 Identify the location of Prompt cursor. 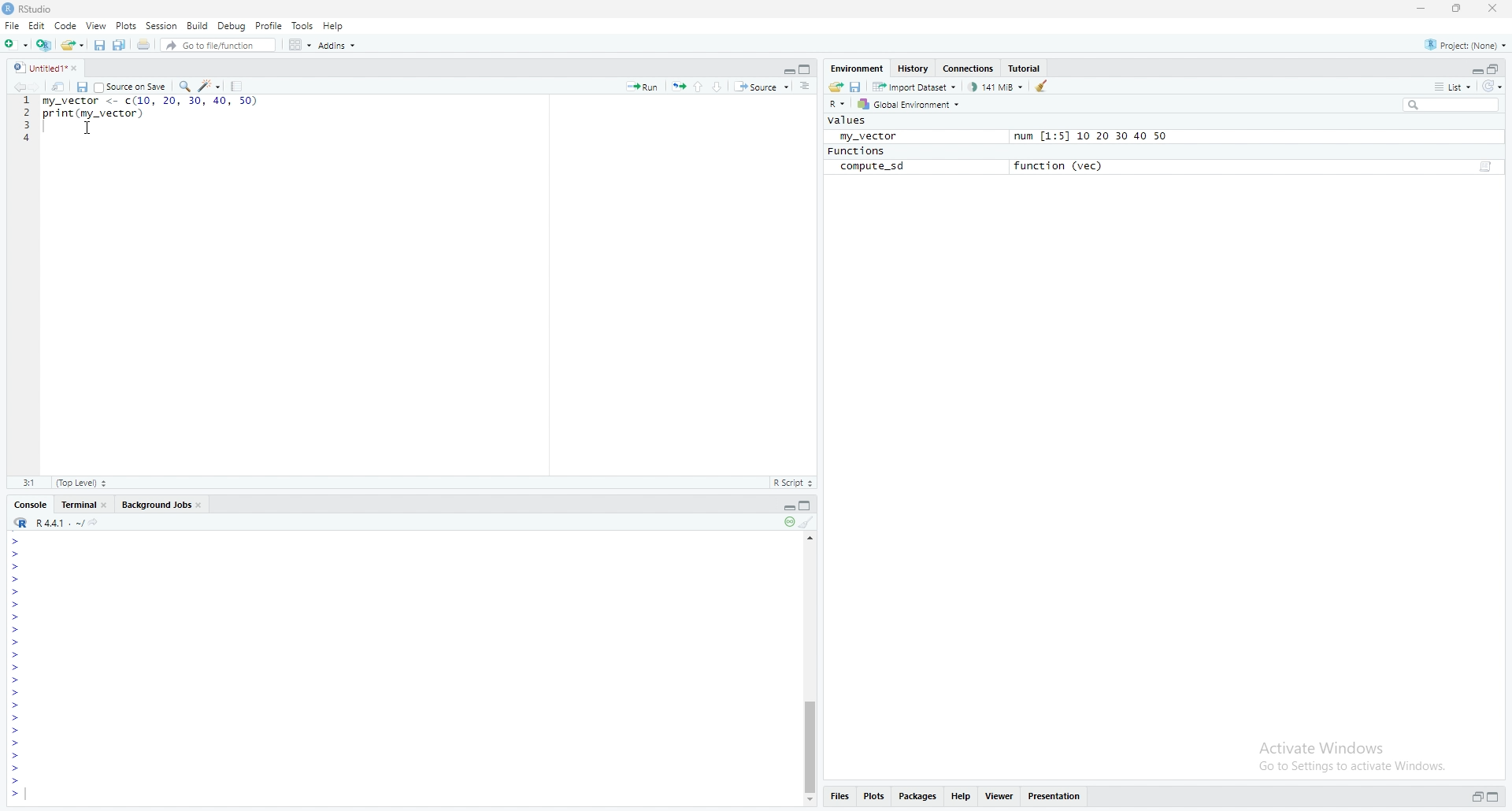
(17, 554).